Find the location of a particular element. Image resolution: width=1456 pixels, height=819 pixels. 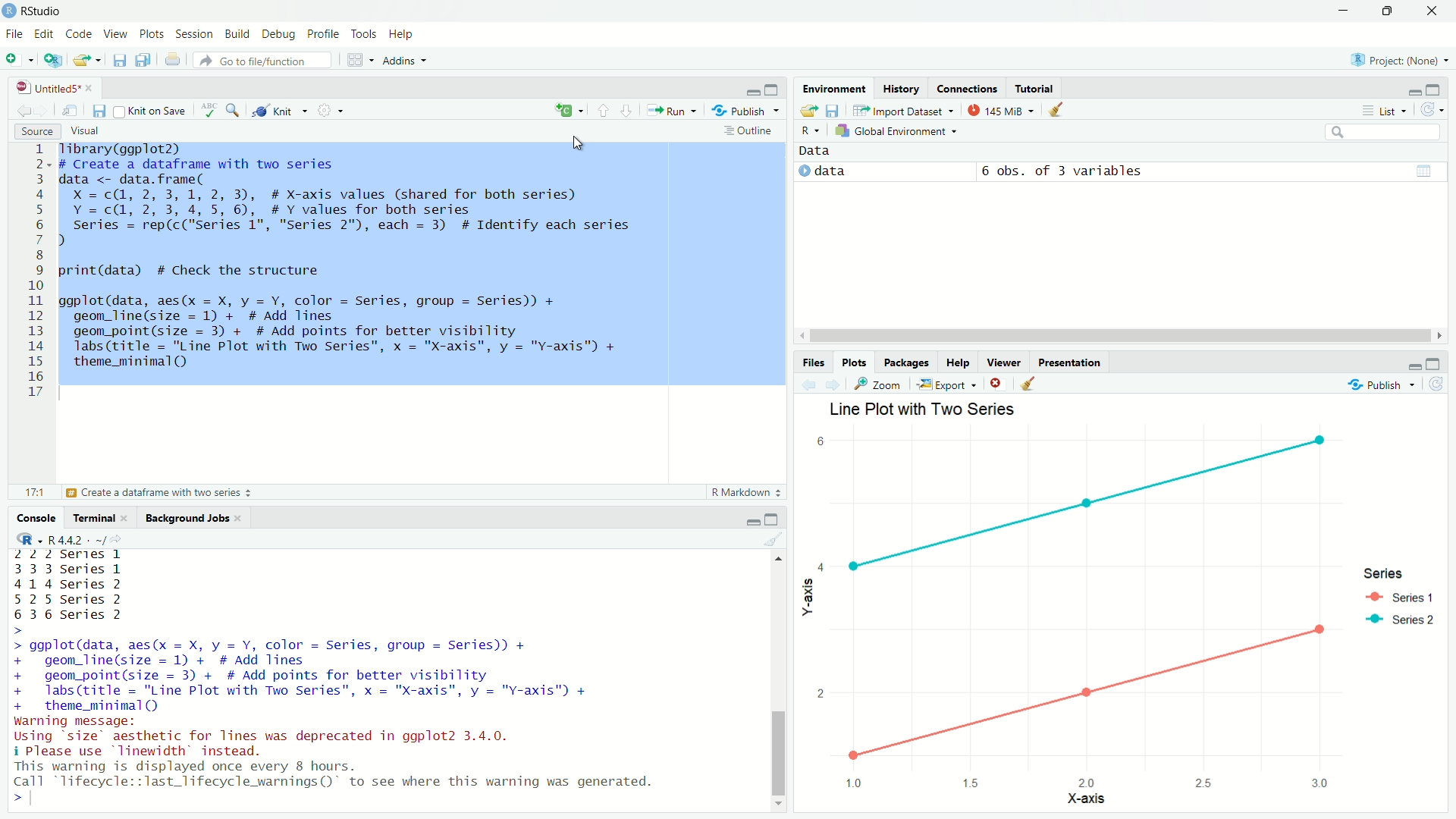

Load workspace is located at coordinates (809, 111).